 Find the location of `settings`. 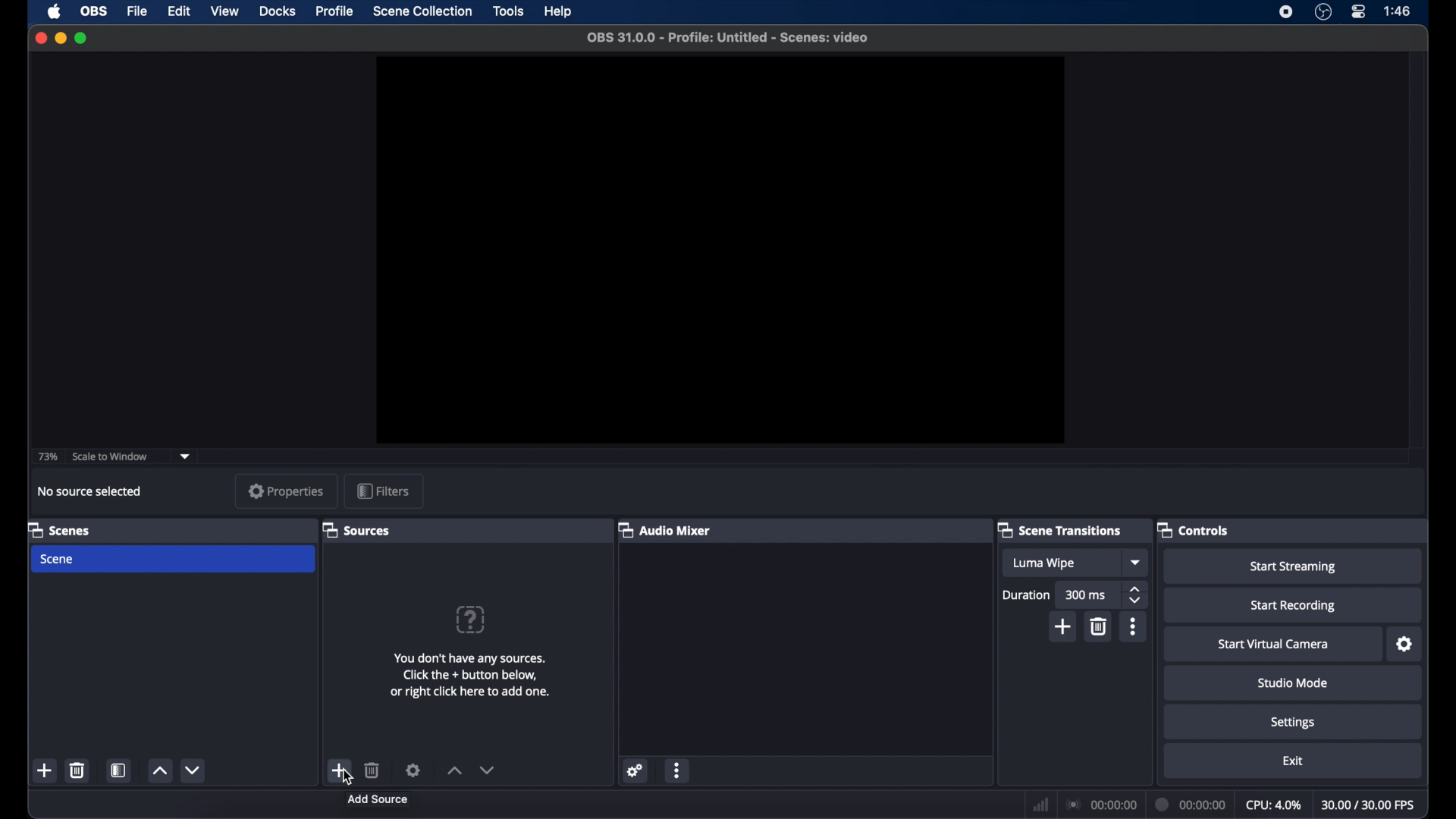

settings is located at coordinates (1294, 723).